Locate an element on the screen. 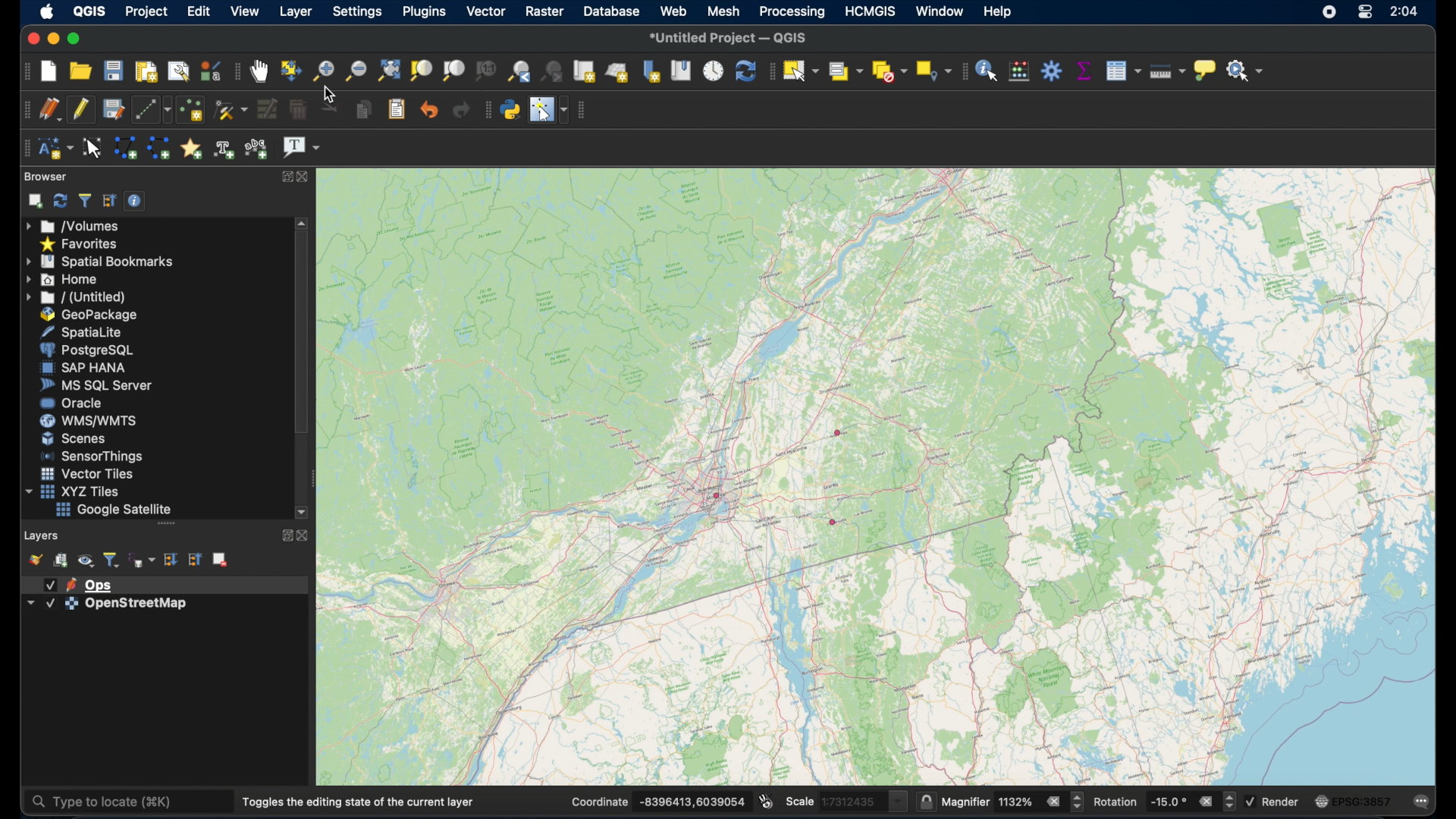 The height and width of the screenshot is (819, 1456). new spatial bookmark is located at coordinates (651, 70).